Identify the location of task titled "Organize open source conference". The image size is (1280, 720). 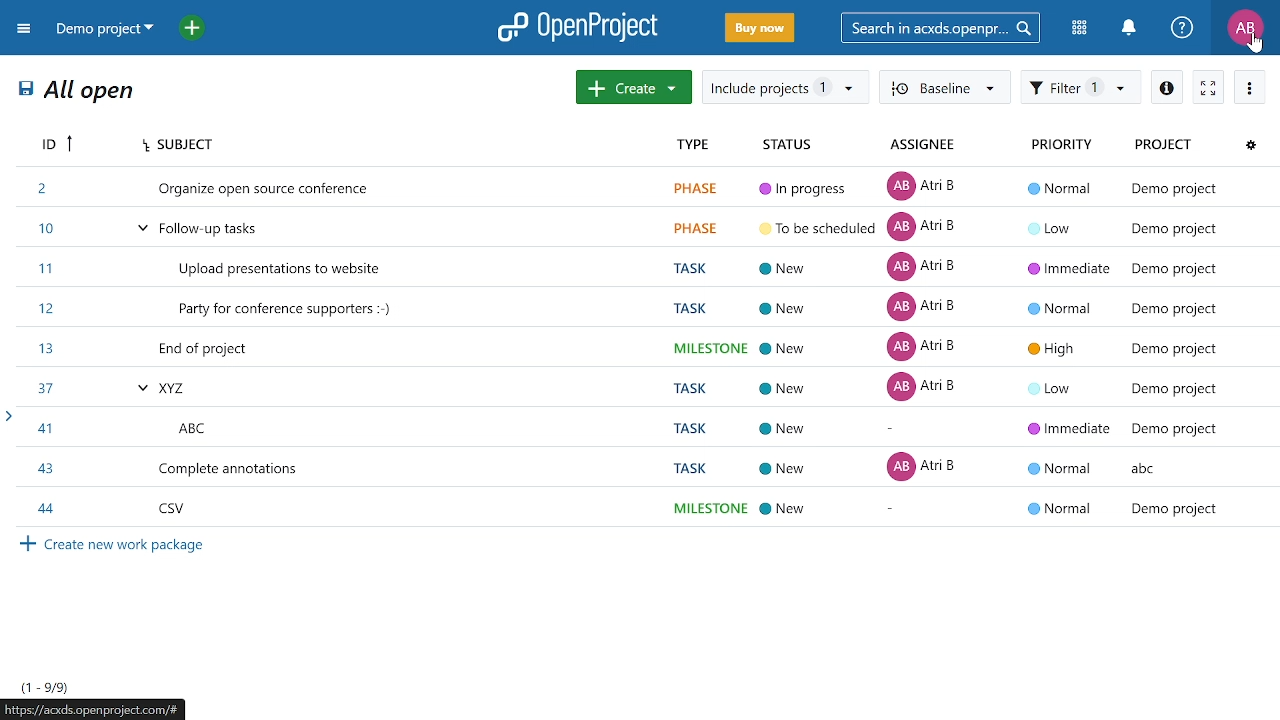
(646, 187).